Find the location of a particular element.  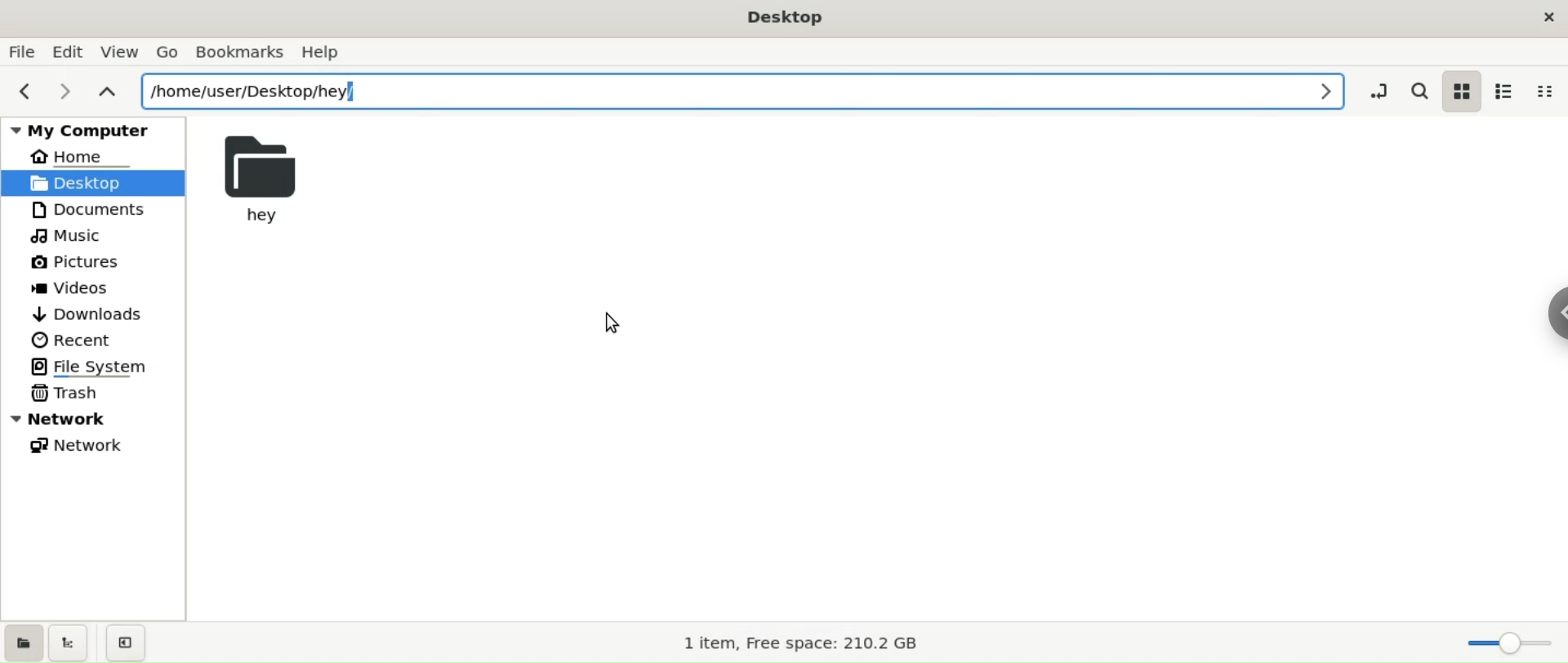

close sidebar is located at coordinates (127, 642).